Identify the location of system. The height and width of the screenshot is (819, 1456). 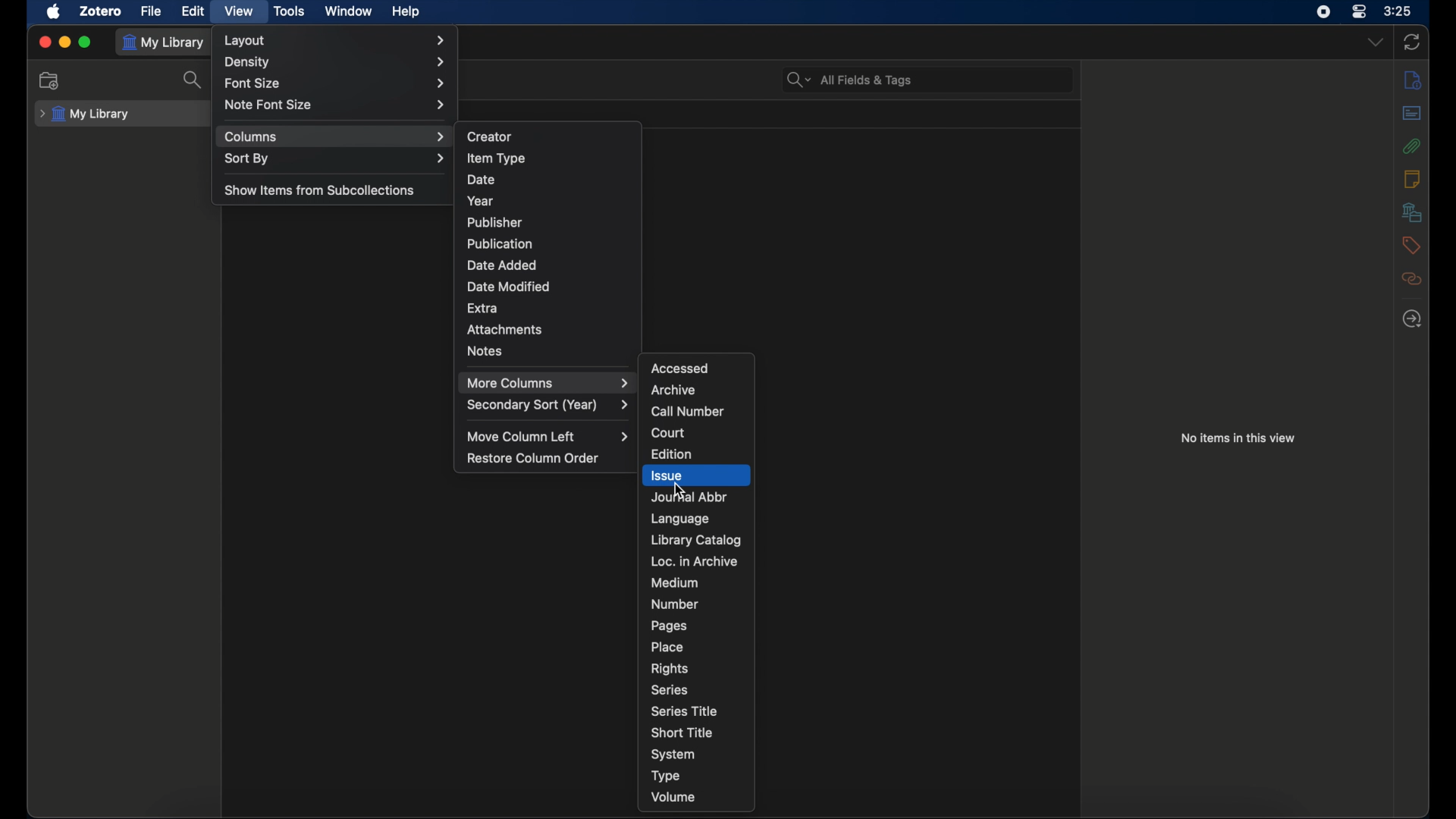
(673, 755).